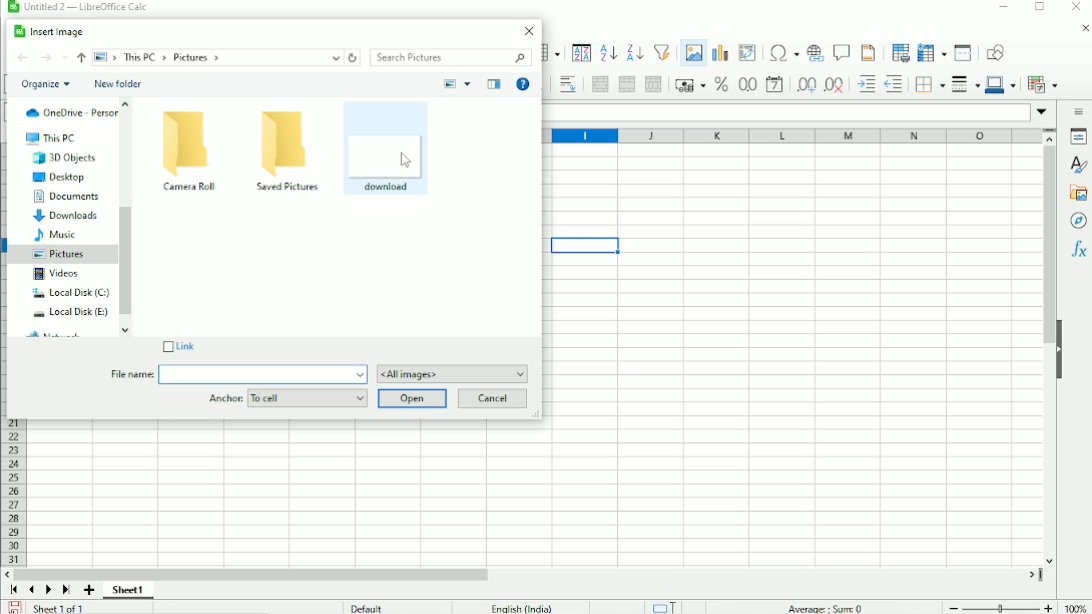 The width and height of the screenshot is (1092, 614). What do you see at coordinates (222, 397) in the screenshot?
I see `Anchor` at bounding box center [222, 397].